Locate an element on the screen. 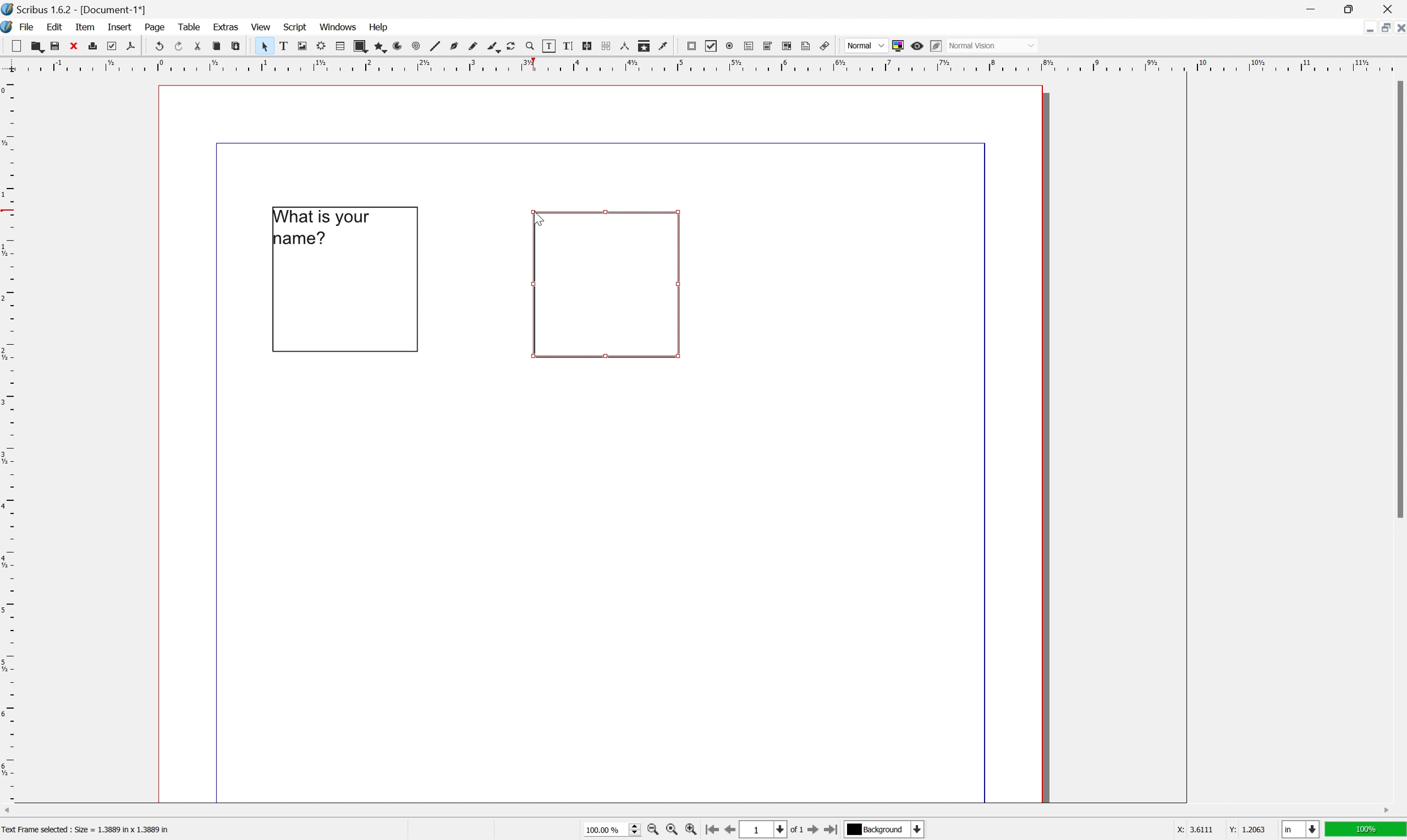 This screenshot has height=840, width=1407. go to previous page is located at coordinates (728, 831).